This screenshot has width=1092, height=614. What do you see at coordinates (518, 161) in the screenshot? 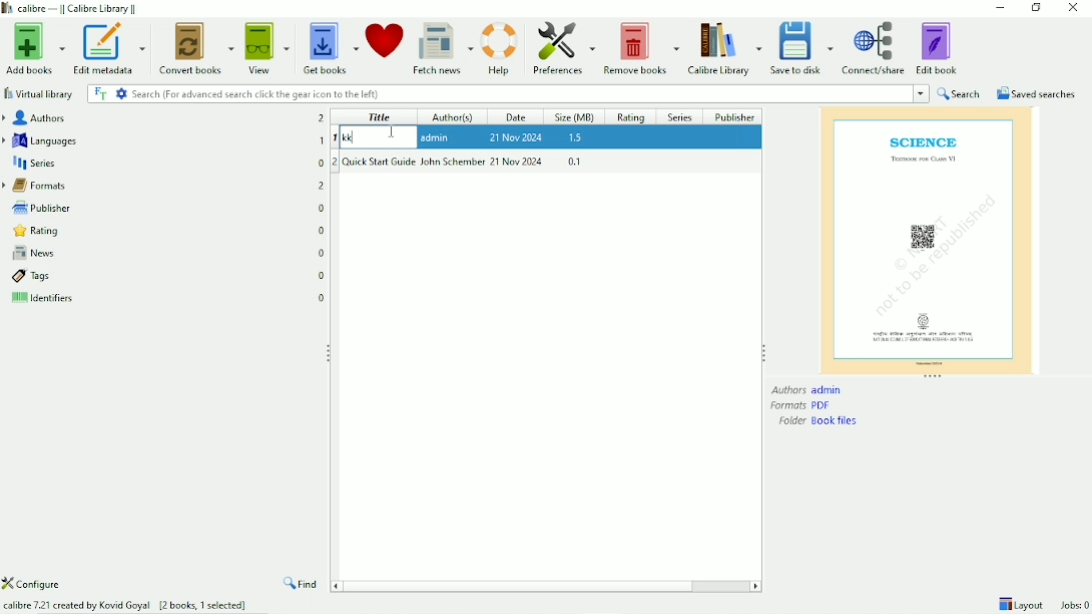
I see `21 Nov 2024` at bounding box center [518, 161].